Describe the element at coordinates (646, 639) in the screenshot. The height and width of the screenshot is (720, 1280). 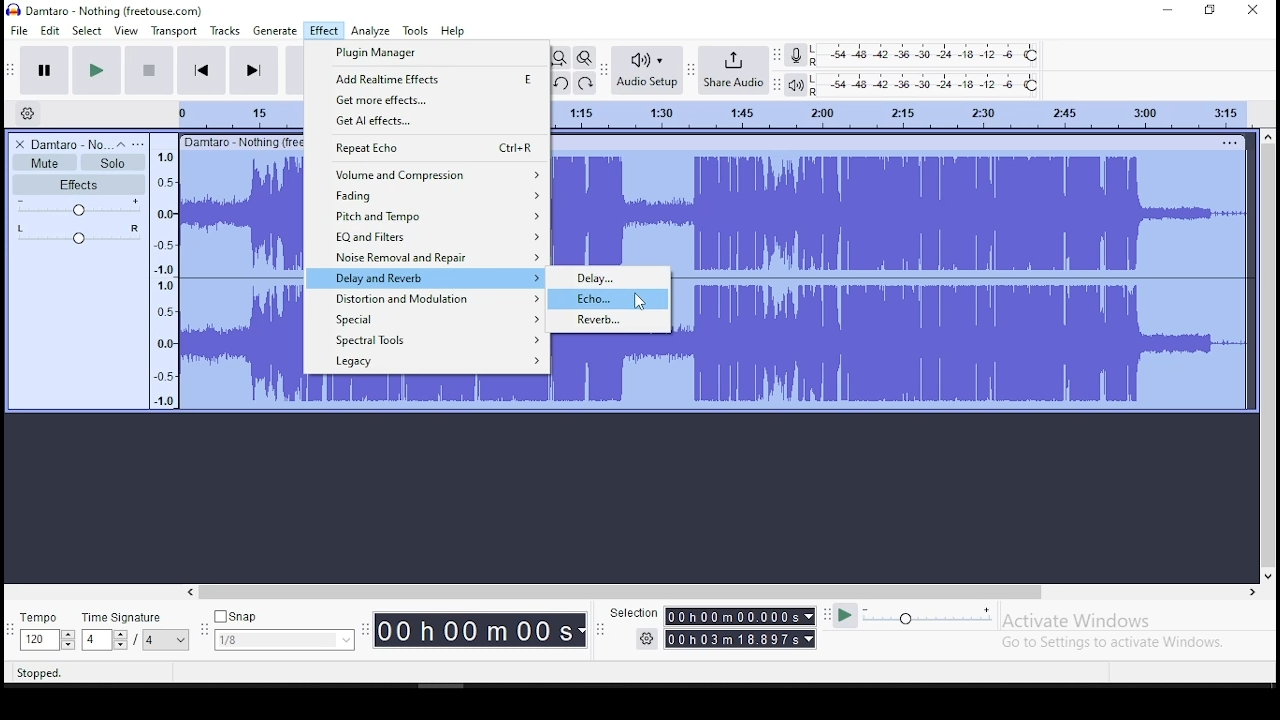
I see `Settings` at that location.